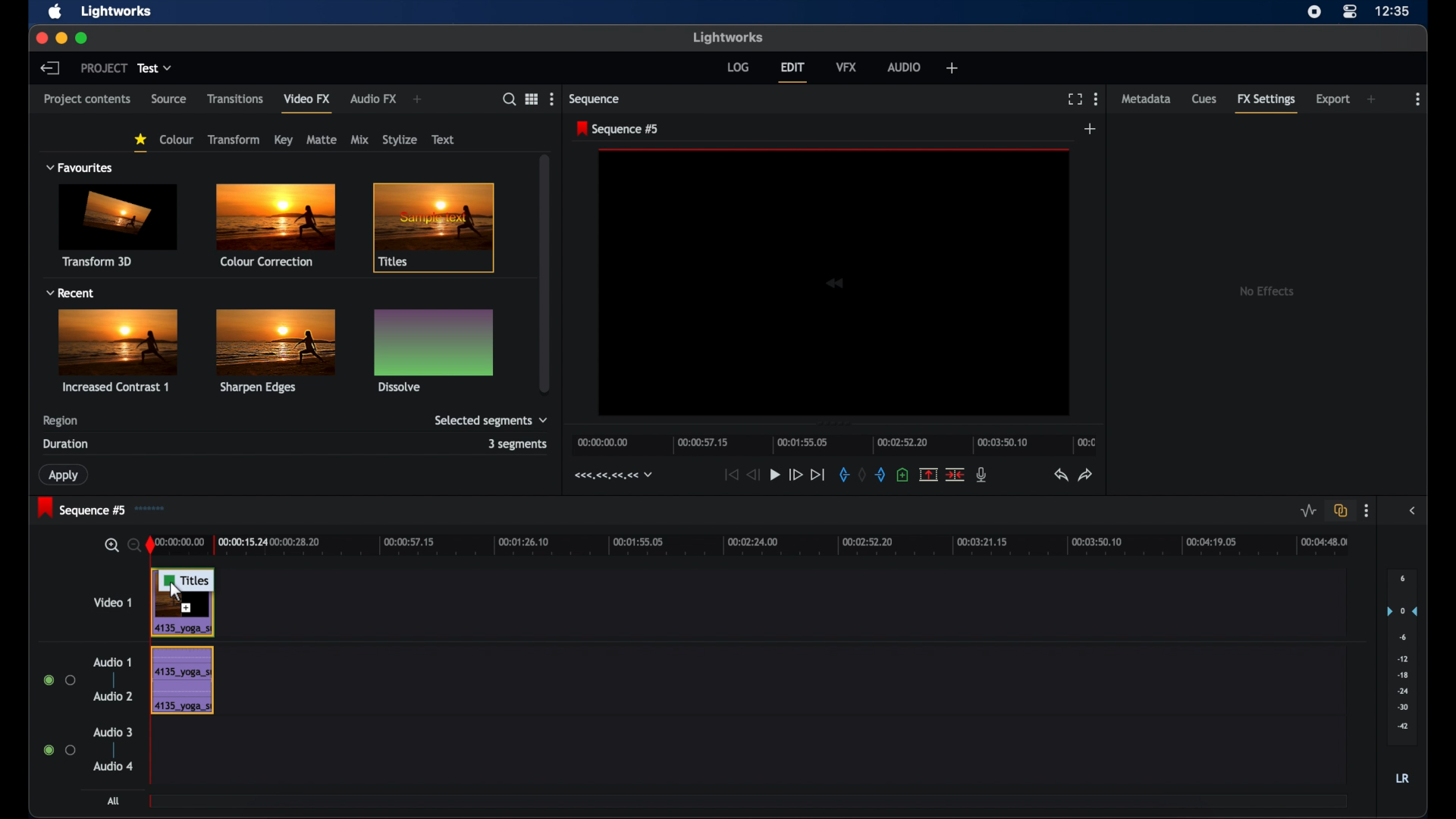  What do you see at coordinates (1061, 475) in the screenshot?
I see `undo` at bounding box center [1061, 475].